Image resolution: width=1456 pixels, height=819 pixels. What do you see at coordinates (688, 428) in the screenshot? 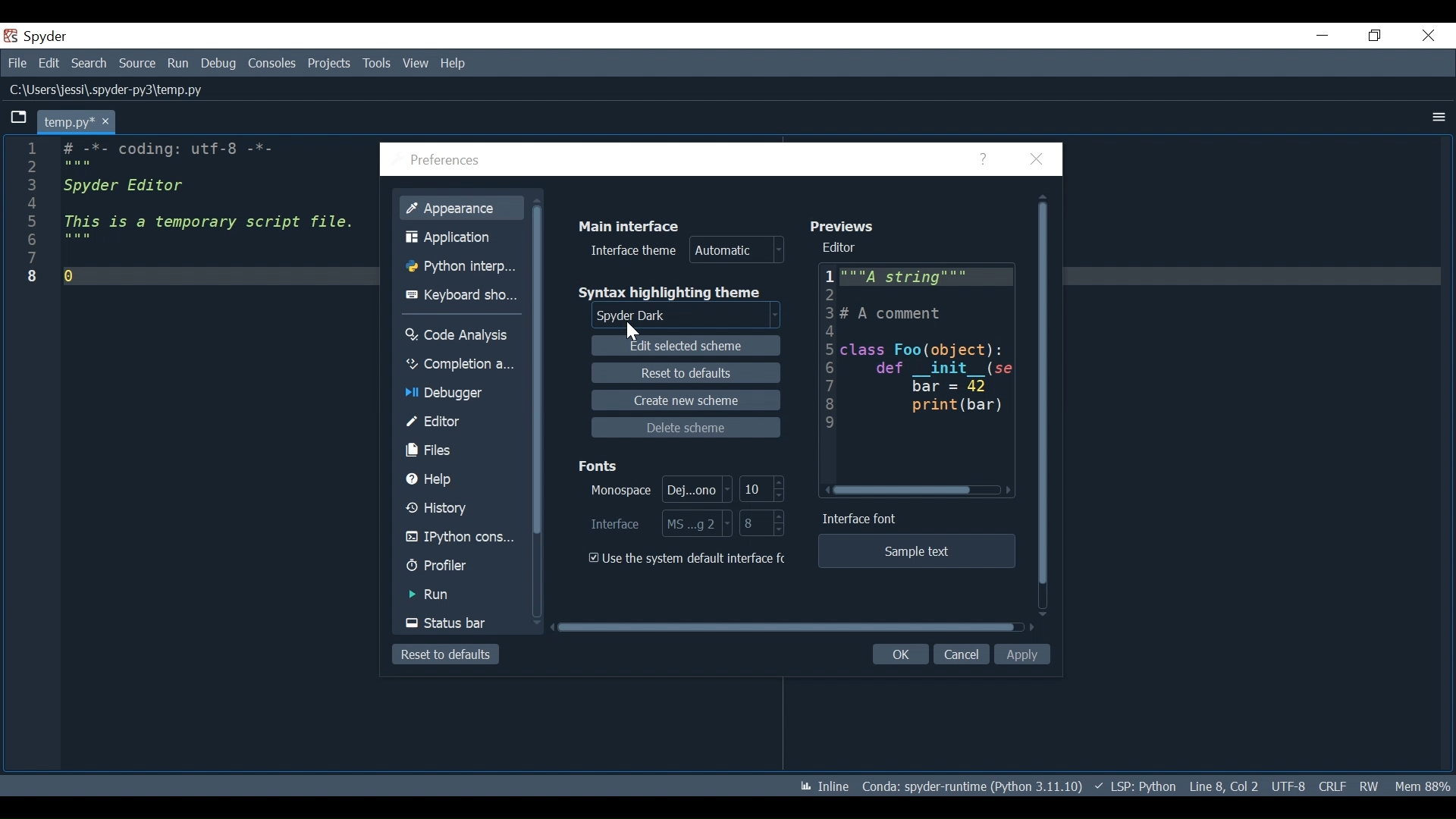
I see `Delete Scheme` at bounding box center [688, 428].